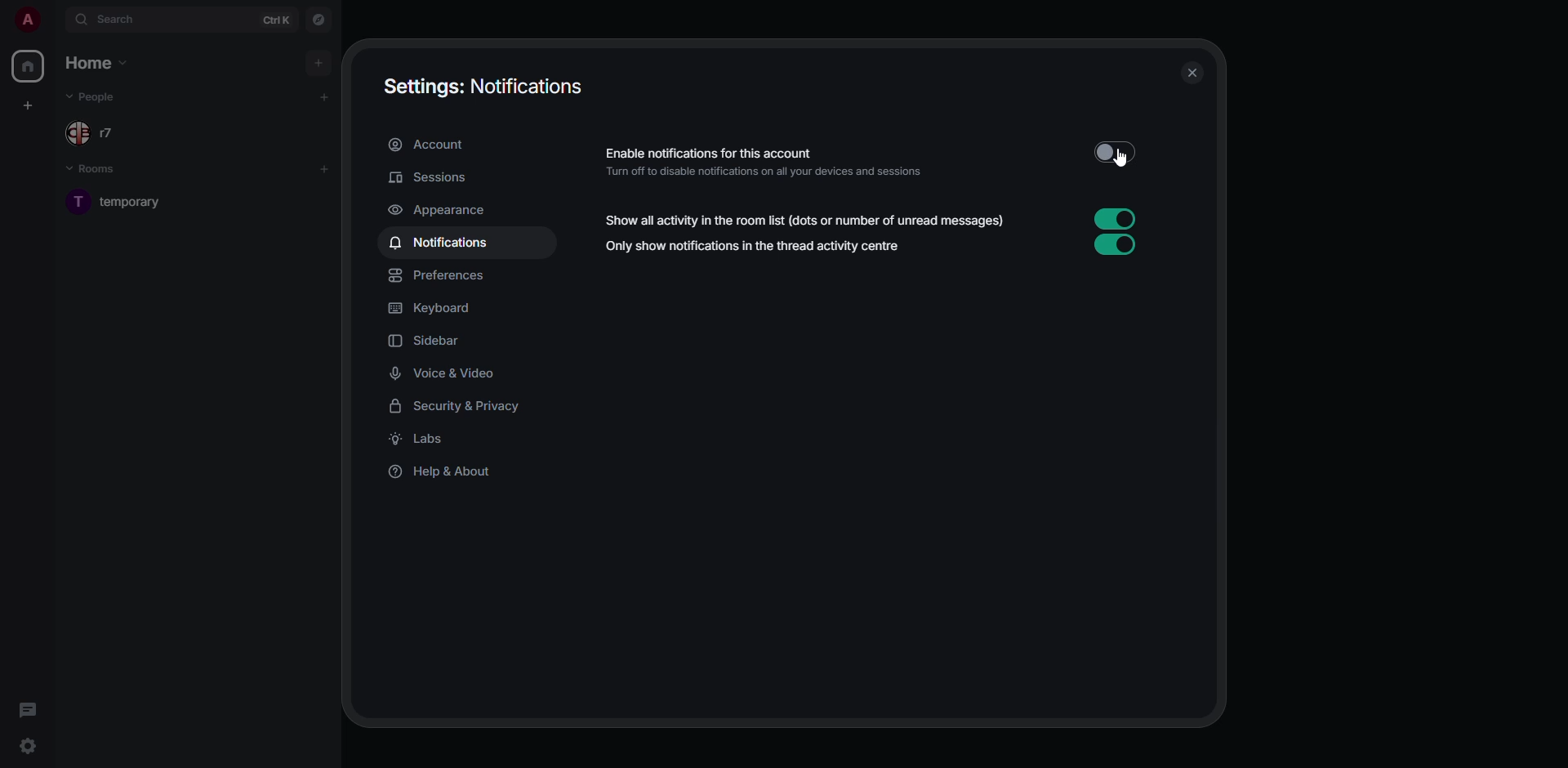  What do you see at coordinates (319, 64) in the screenshot?
I see `add` at bounding box center [319, 64].